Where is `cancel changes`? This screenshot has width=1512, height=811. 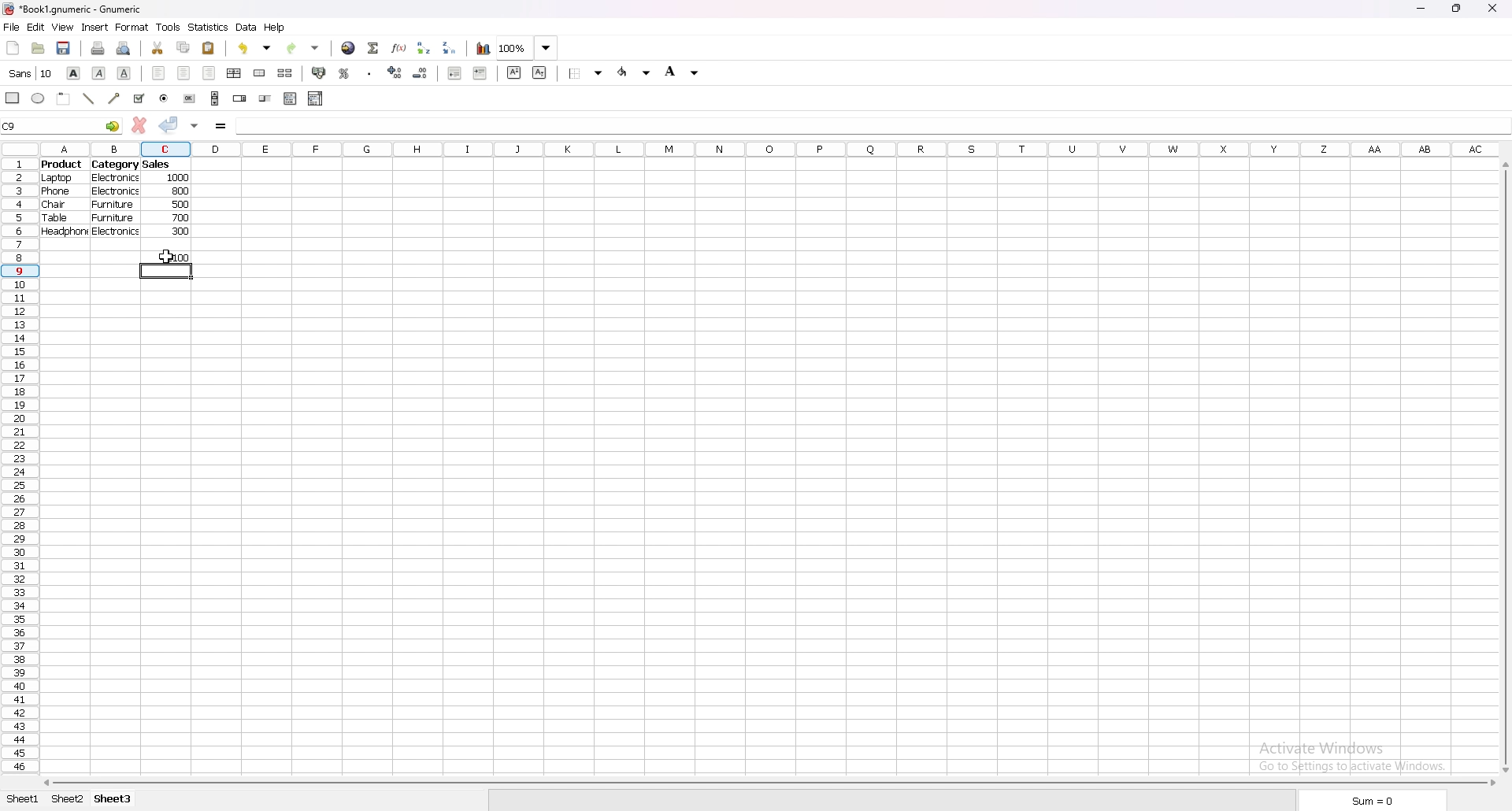
cancel changes is located at coordinates (139, 124).